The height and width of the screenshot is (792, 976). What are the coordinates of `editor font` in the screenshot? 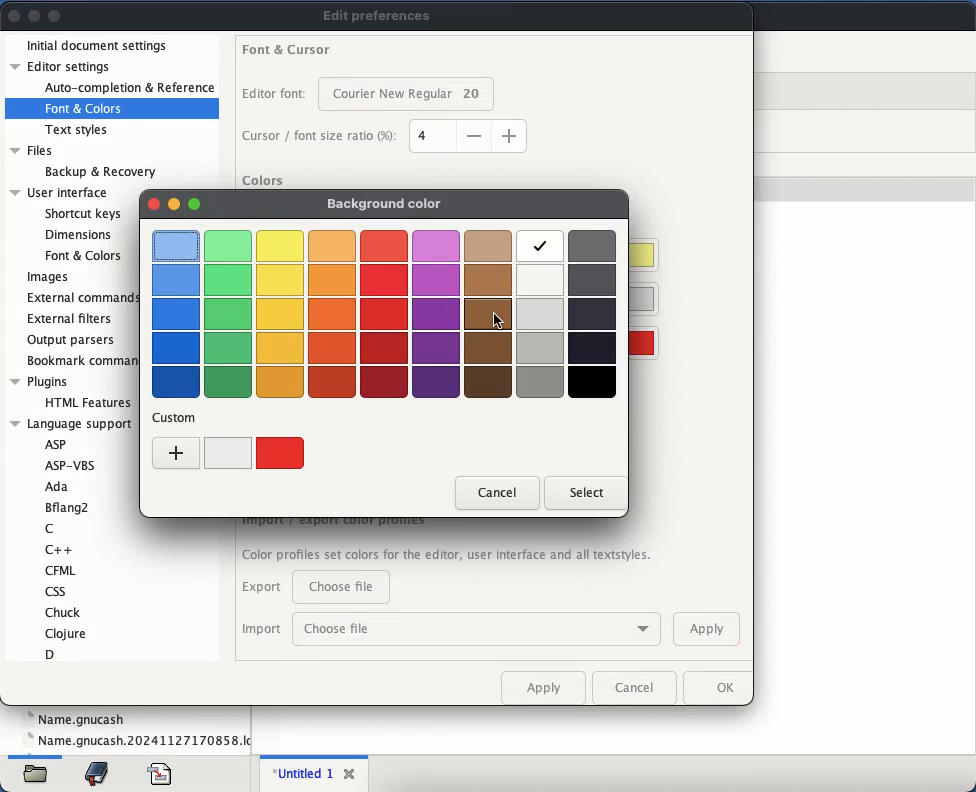 It's located at (276, 93).